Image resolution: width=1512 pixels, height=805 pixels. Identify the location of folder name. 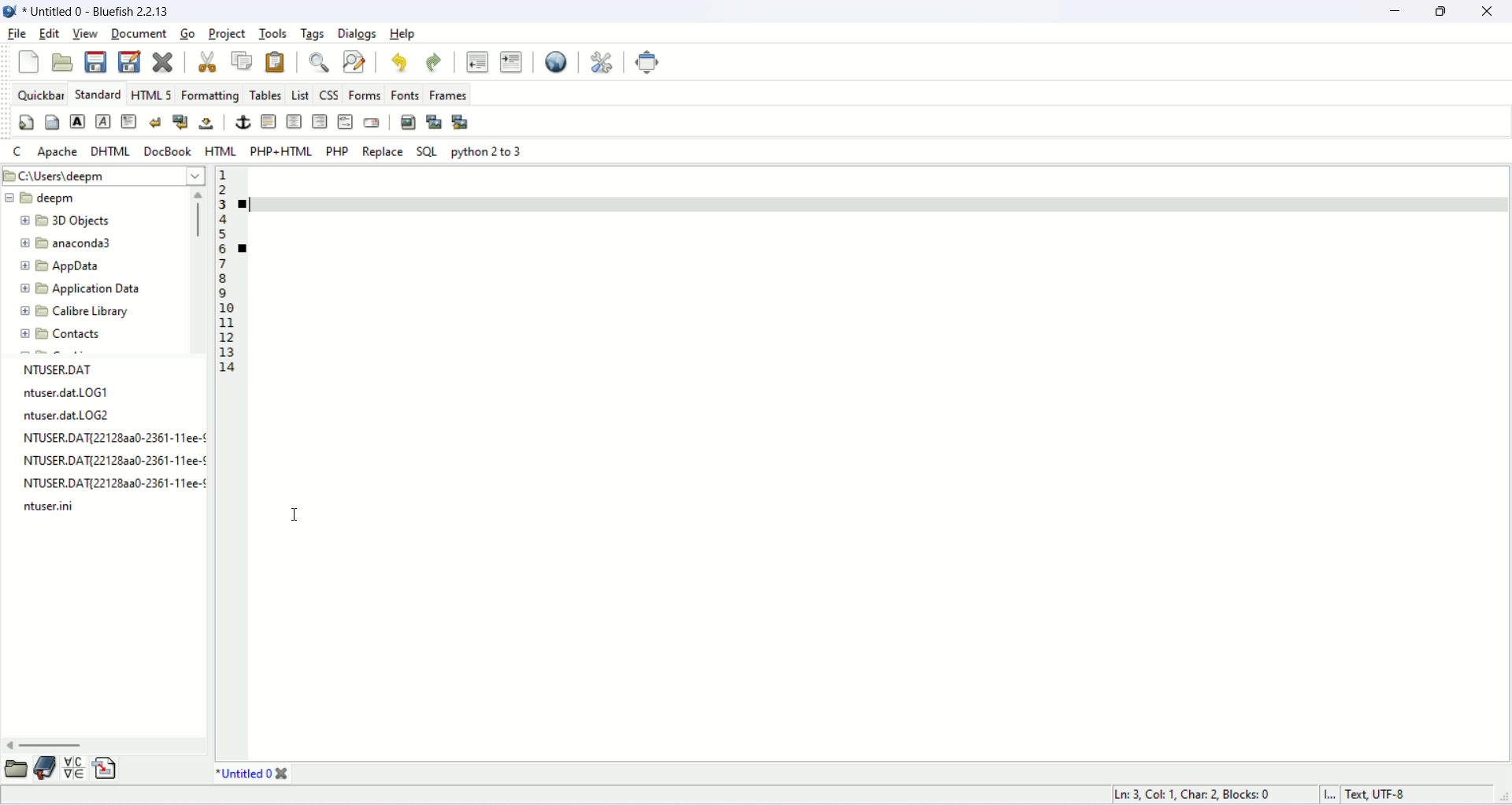
(79, 242).